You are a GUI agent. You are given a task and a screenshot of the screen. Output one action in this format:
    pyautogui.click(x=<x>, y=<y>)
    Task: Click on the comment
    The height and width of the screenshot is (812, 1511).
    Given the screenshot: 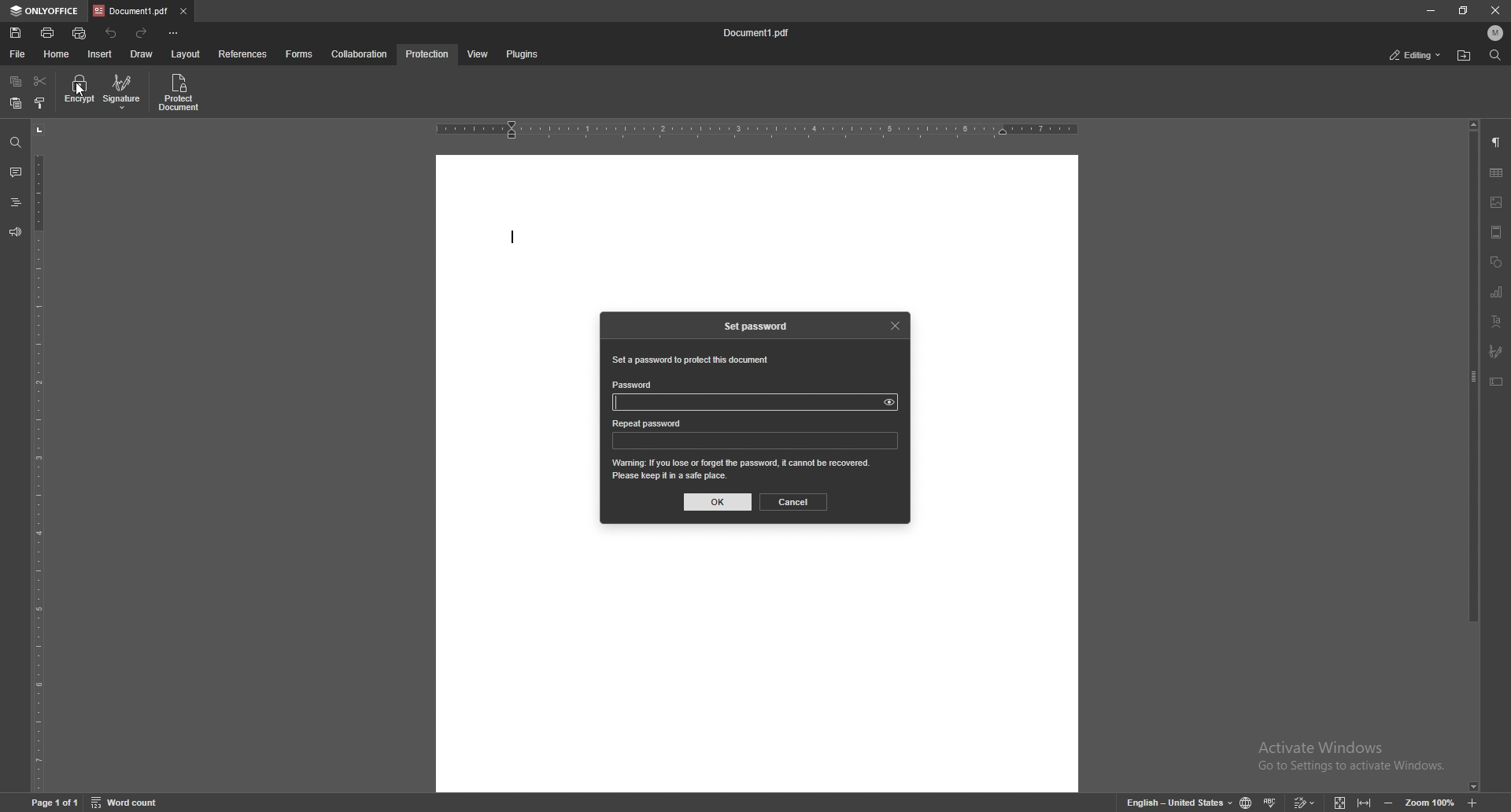 What is the action you would take?
    pyautogui.click(x=16, y=172)
    